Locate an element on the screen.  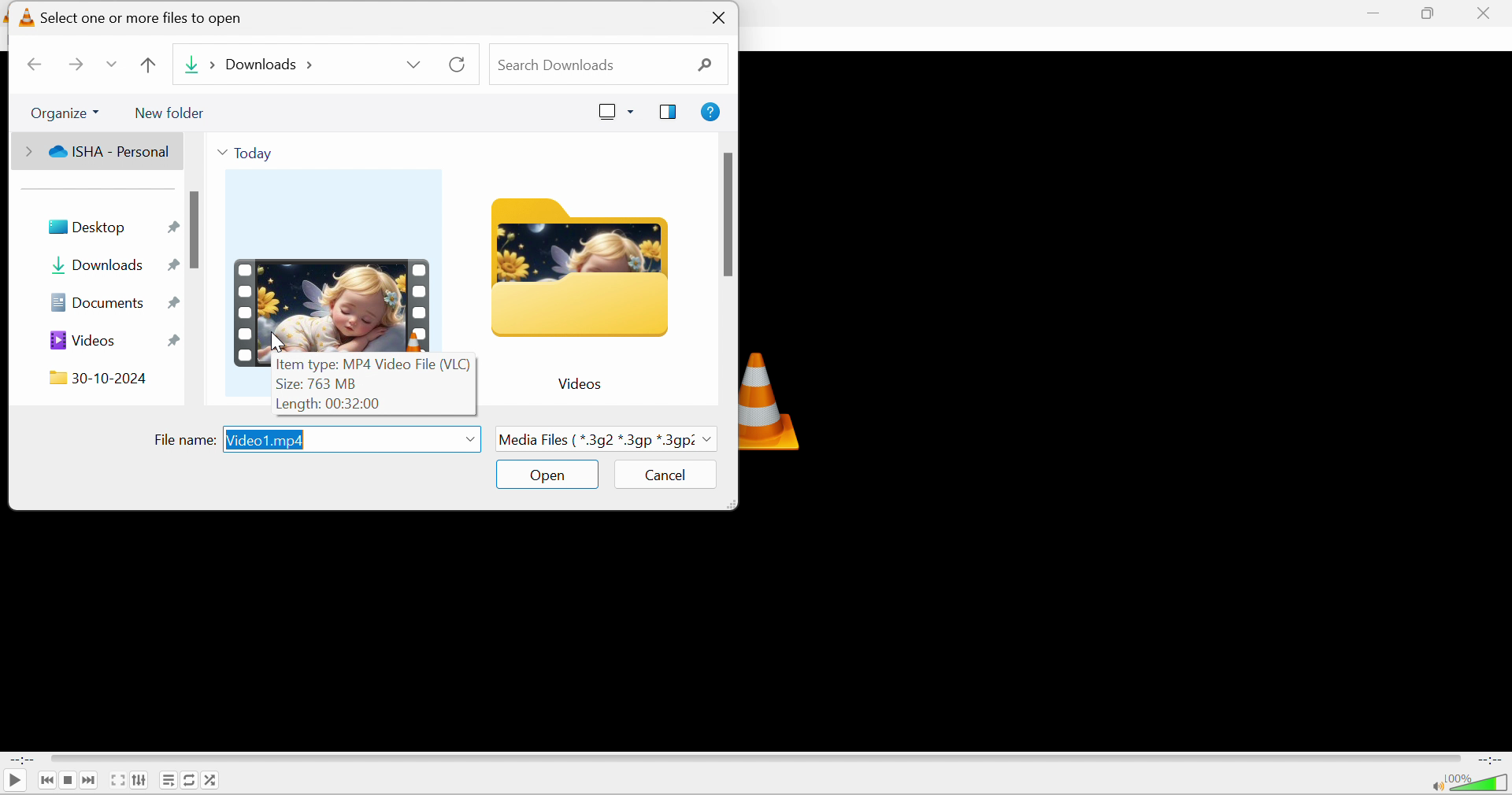
Play is located at coordinates (13, 782).